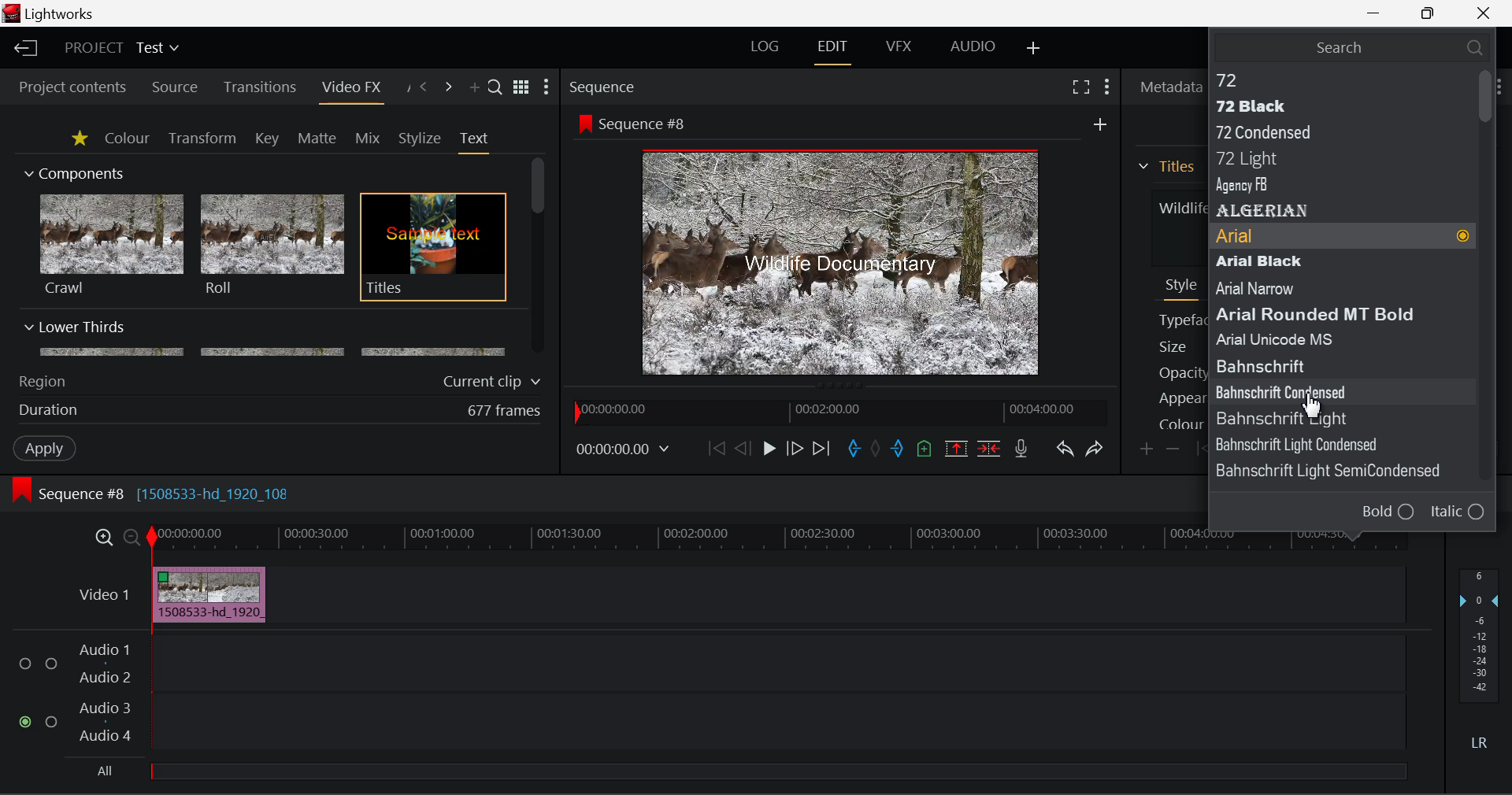 The width and height of the screenshot is (1512, 795). What do you see at coordinates (167, 494) in the screenshot?
I see `Sequence #8 [1508533-hd_1920_108` at bounding box center [167, 494].